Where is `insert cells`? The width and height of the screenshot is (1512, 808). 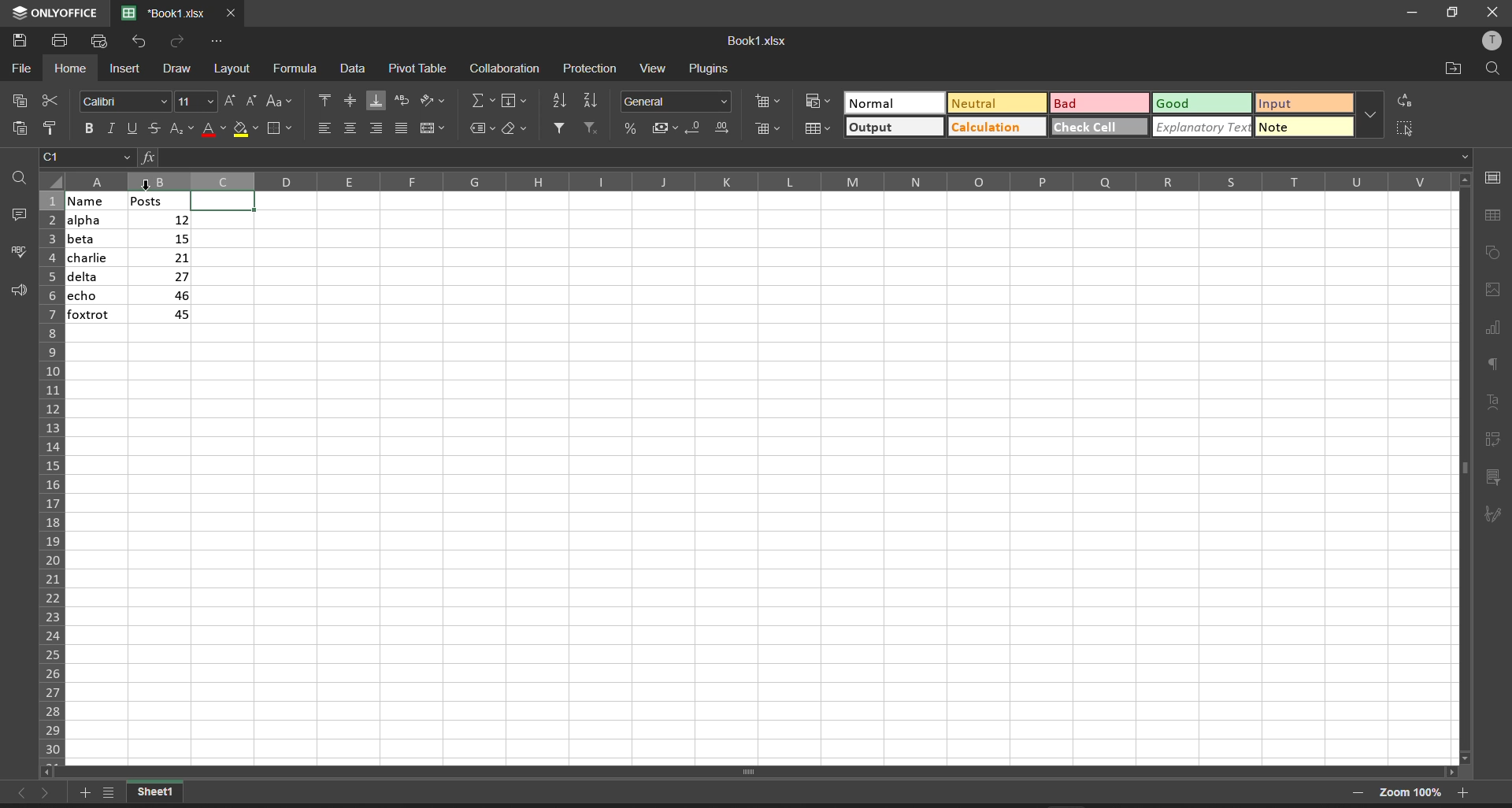
insert cells is located at coordinates (770, 101).